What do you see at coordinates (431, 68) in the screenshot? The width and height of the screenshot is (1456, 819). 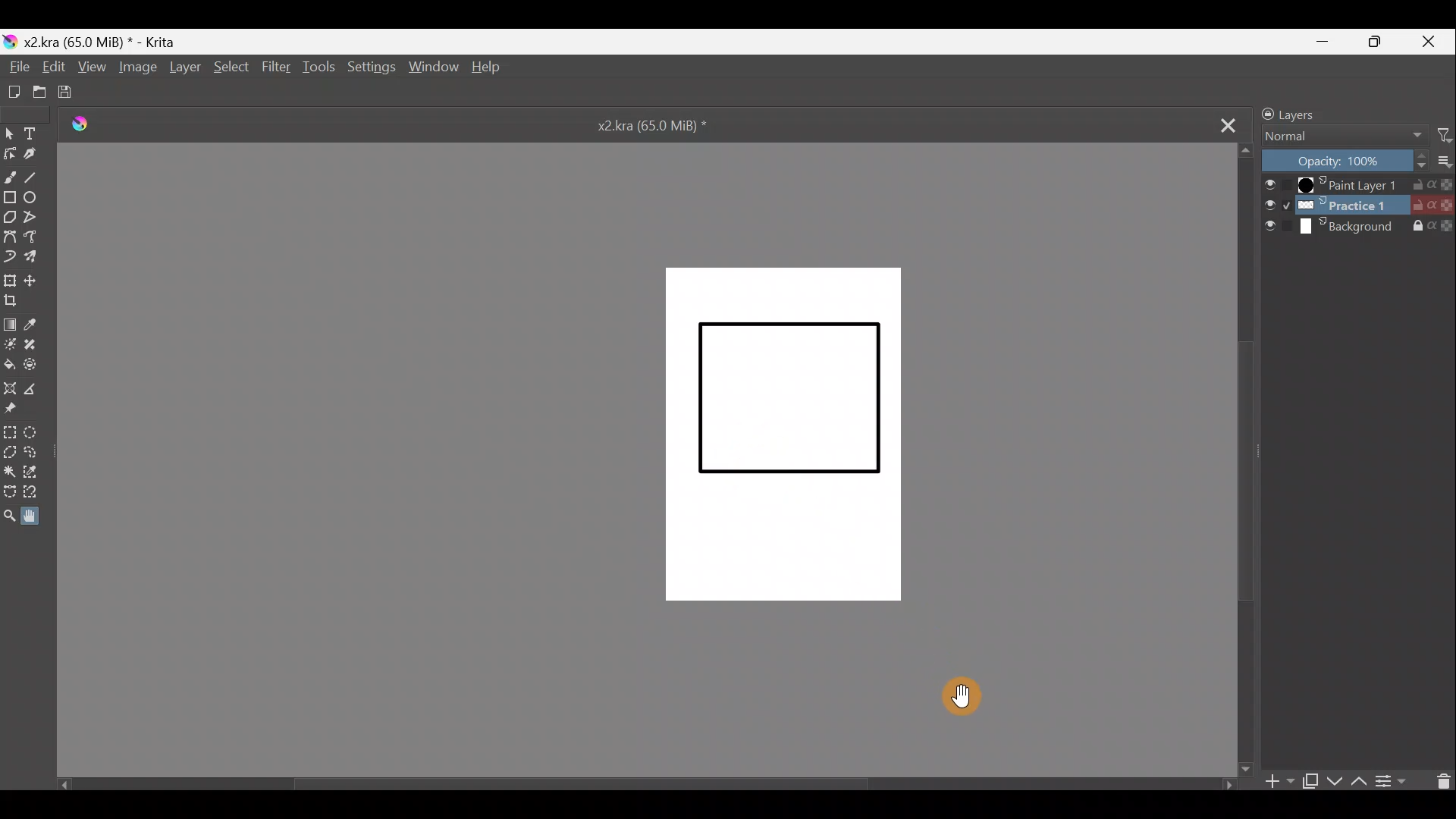 I see `Window` at bounding box center [431, 68].